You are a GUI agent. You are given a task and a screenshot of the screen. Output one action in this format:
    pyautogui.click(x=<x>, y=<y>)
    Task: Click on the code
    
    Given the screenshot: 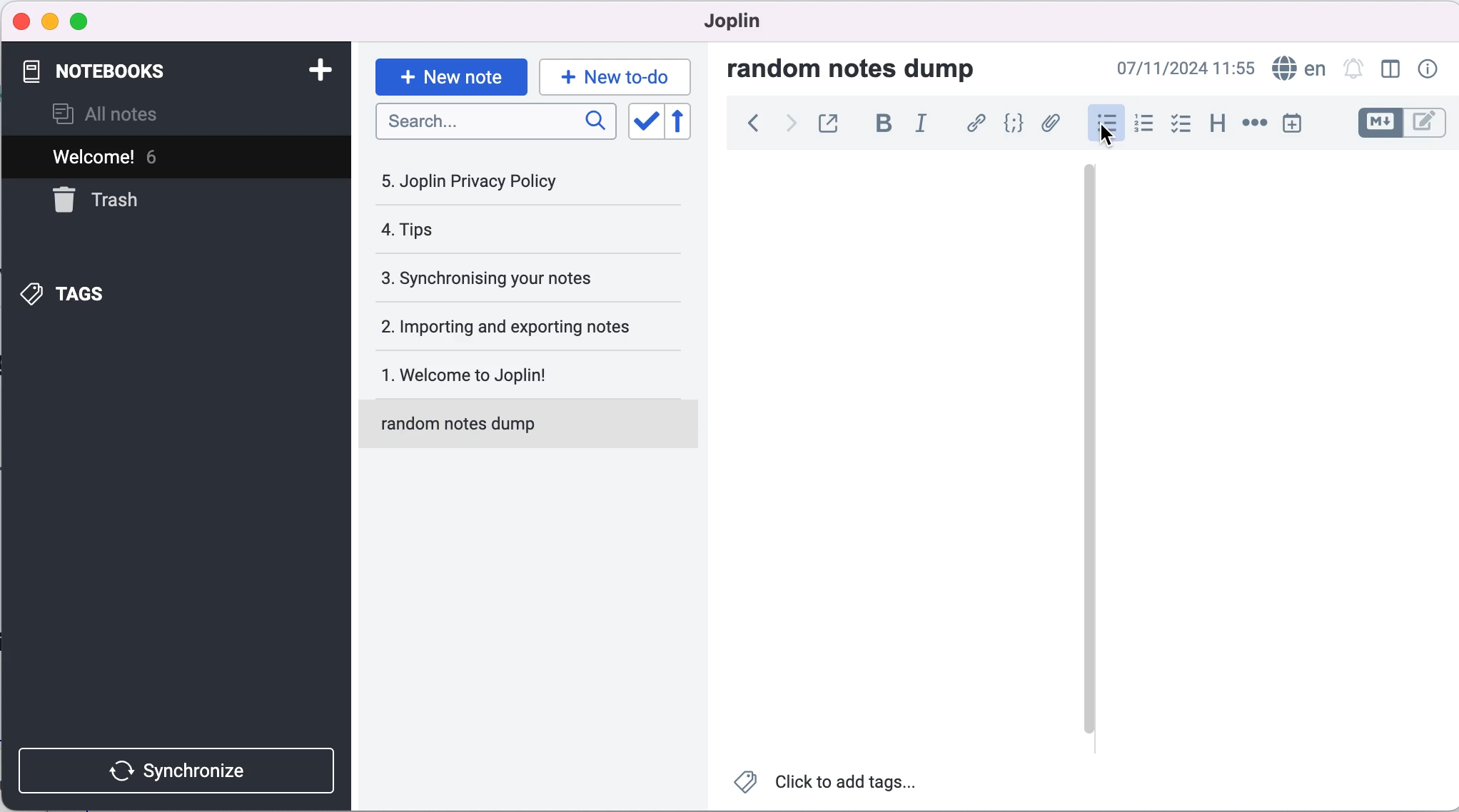 What is the action you would take?
    pyautogui.click(x=1010, y=125)
    